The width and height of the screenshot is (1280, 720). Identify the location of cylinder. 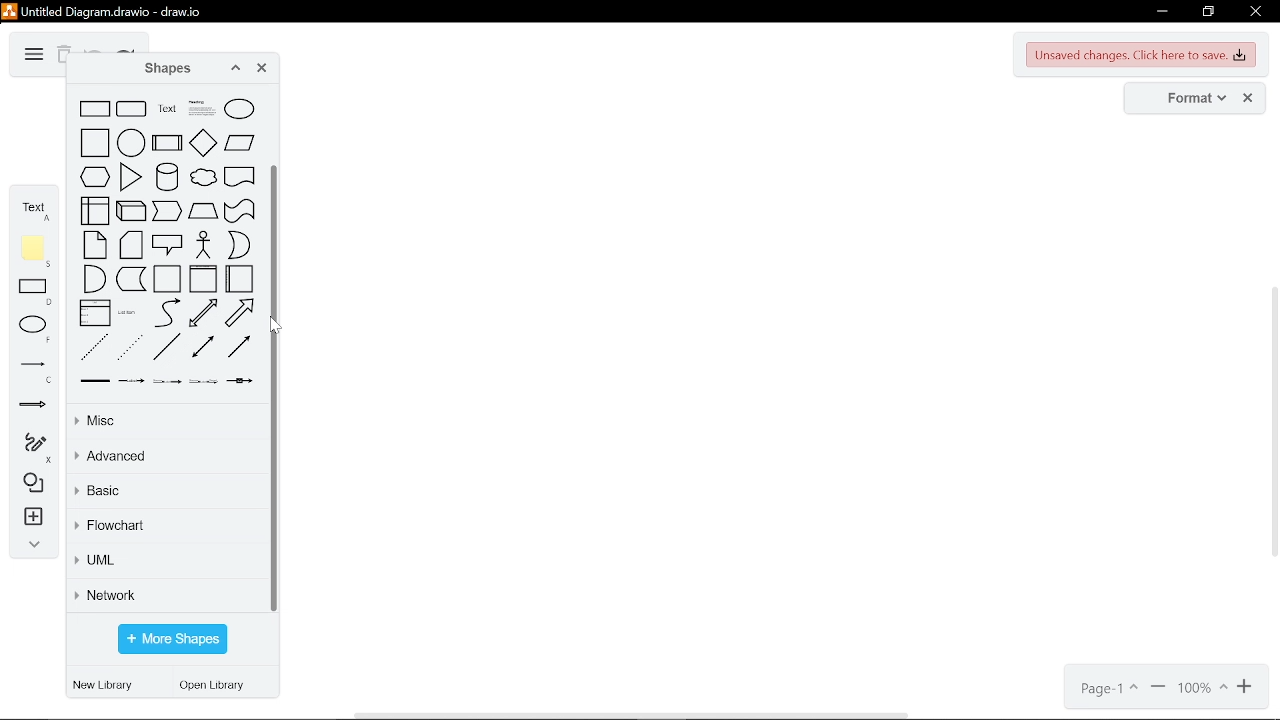
(167, 176).